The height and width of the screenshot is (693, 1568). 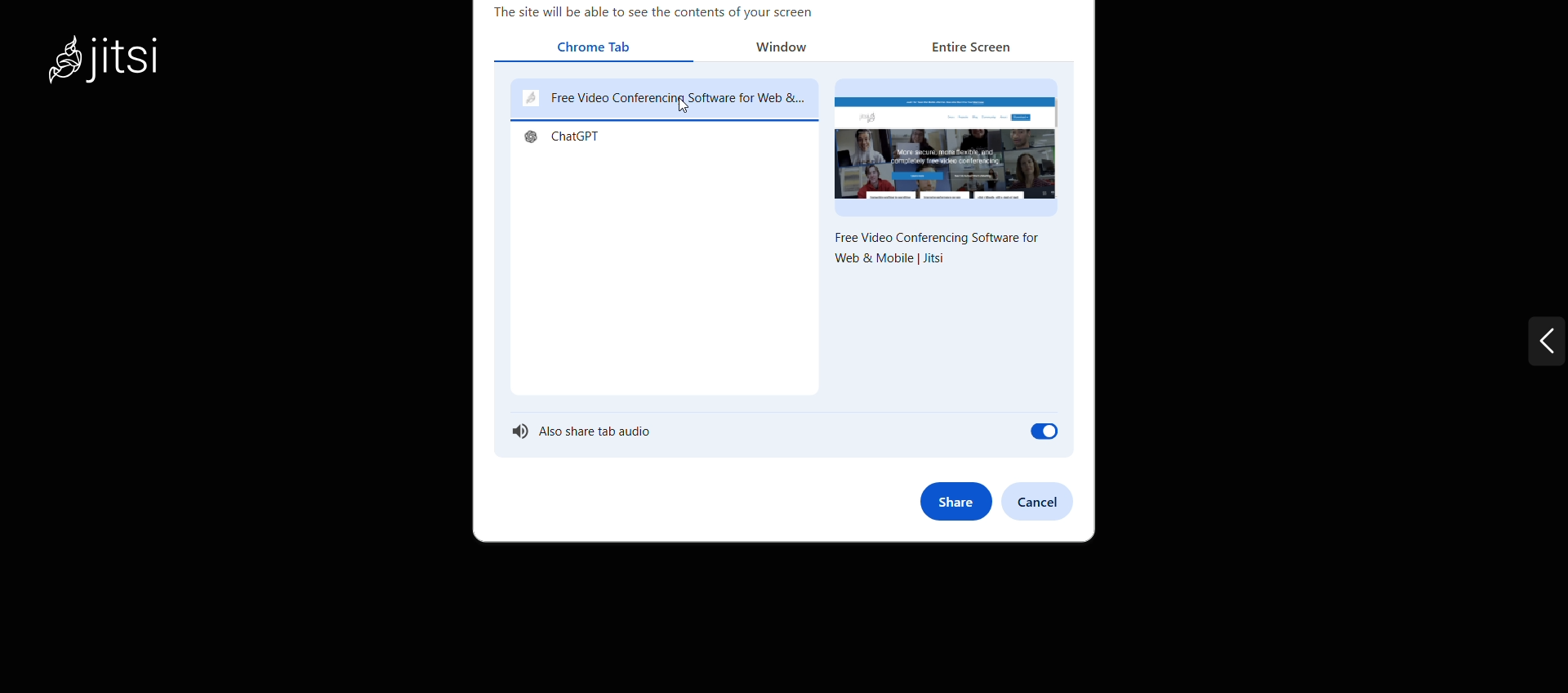 I want to click on jitsi, so click(x=127, y=69).